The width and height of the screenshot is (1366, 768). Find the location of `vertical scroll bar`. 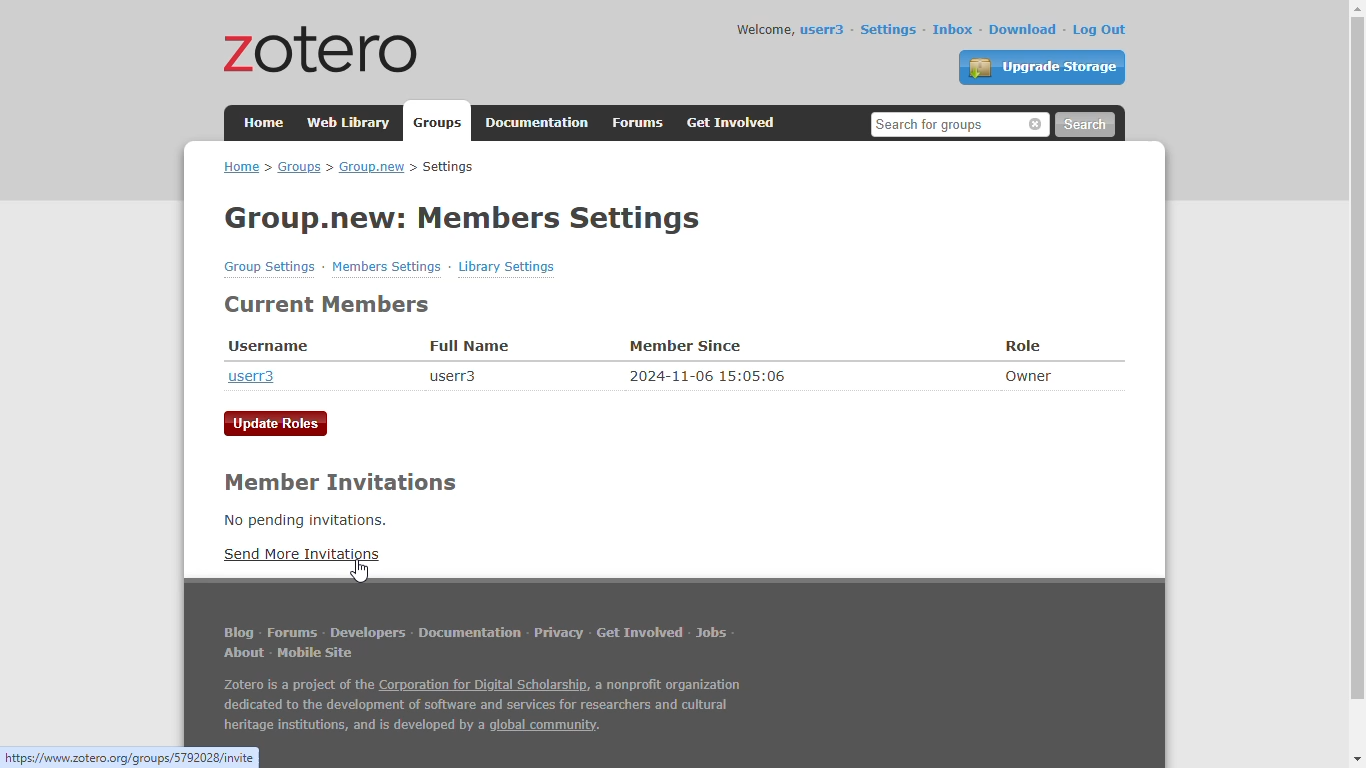

vertical scroll bar is located at coordinates (1355, 359).